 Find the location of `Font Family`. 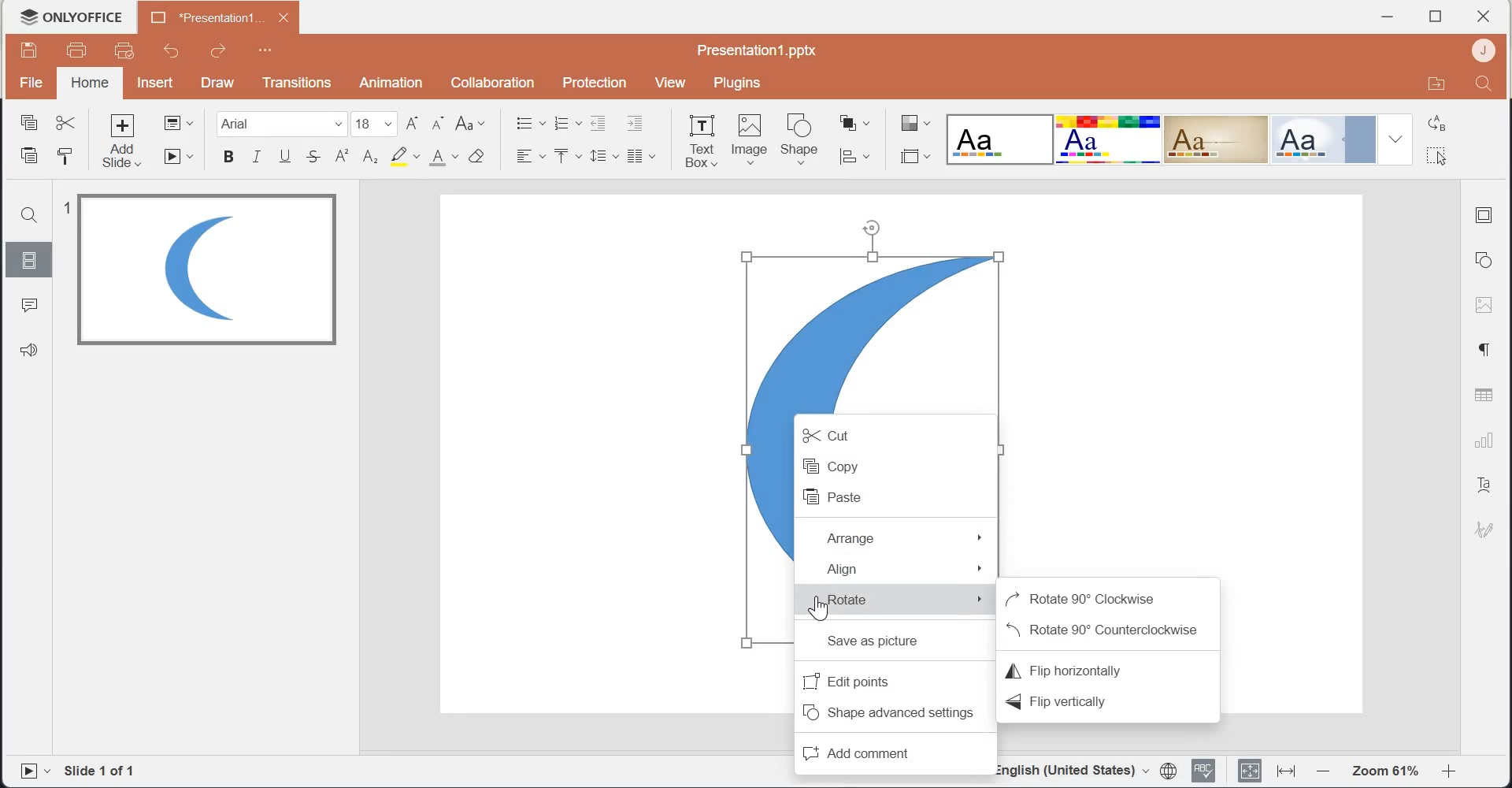

Font Family is located at coordinates (283, 124).